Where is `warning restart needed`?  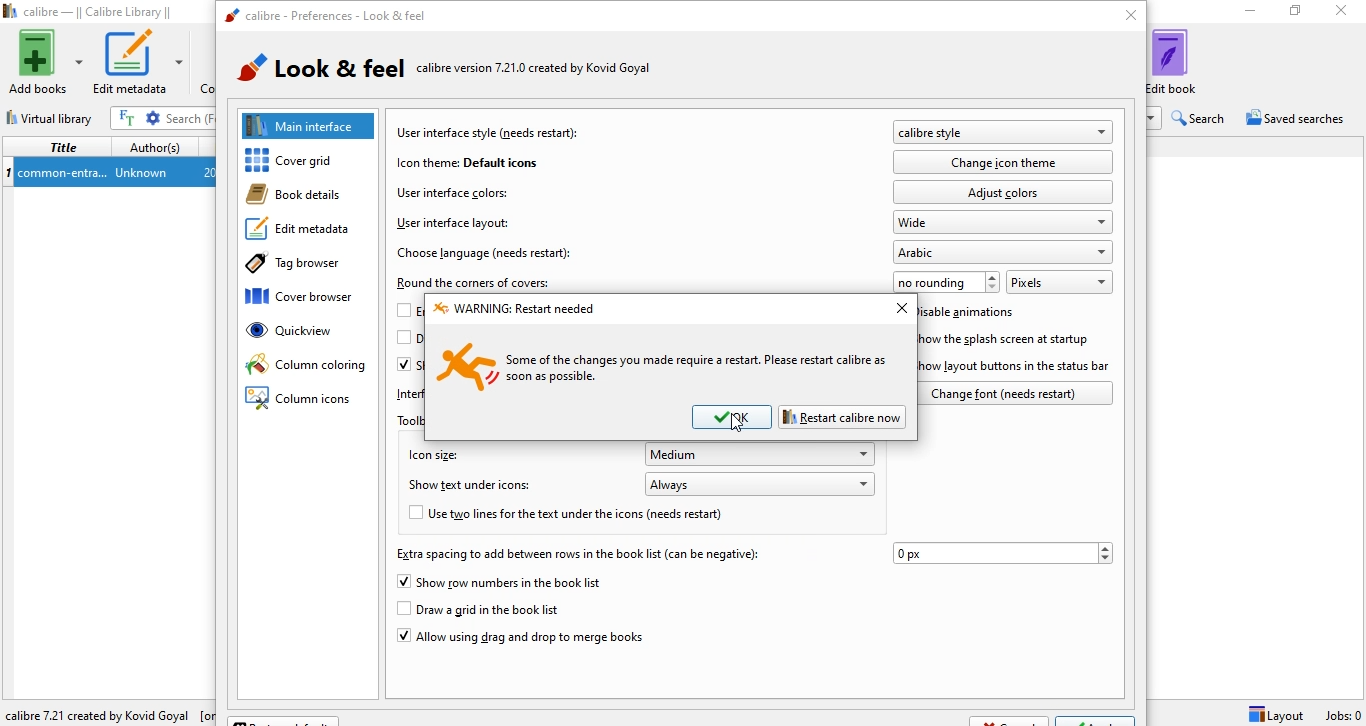
warning restart needed is located at coordinates (515, 309).